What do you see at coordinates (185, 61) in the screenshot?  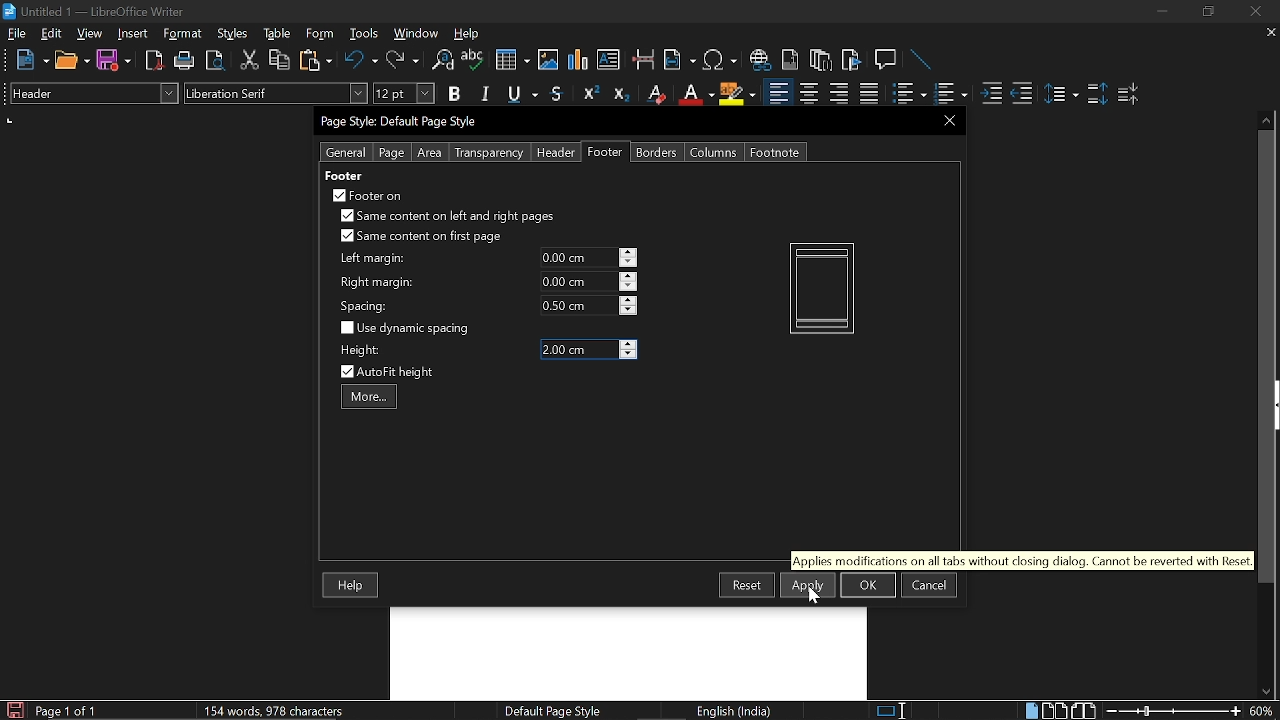 I see `Print` at bounding box center [185, 61].